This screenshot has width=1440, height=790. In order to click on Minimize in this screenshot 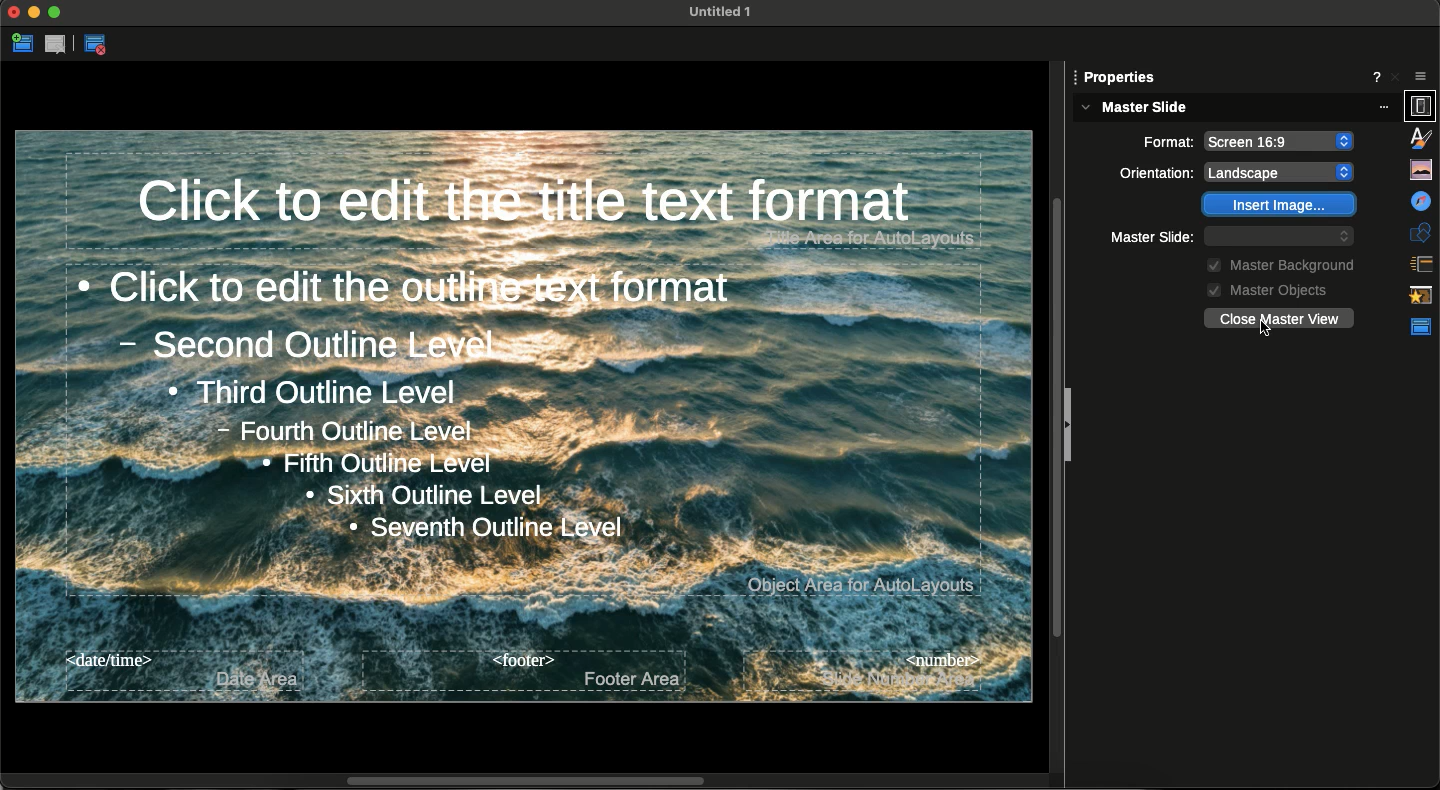, I will do `click(35, 14)`.